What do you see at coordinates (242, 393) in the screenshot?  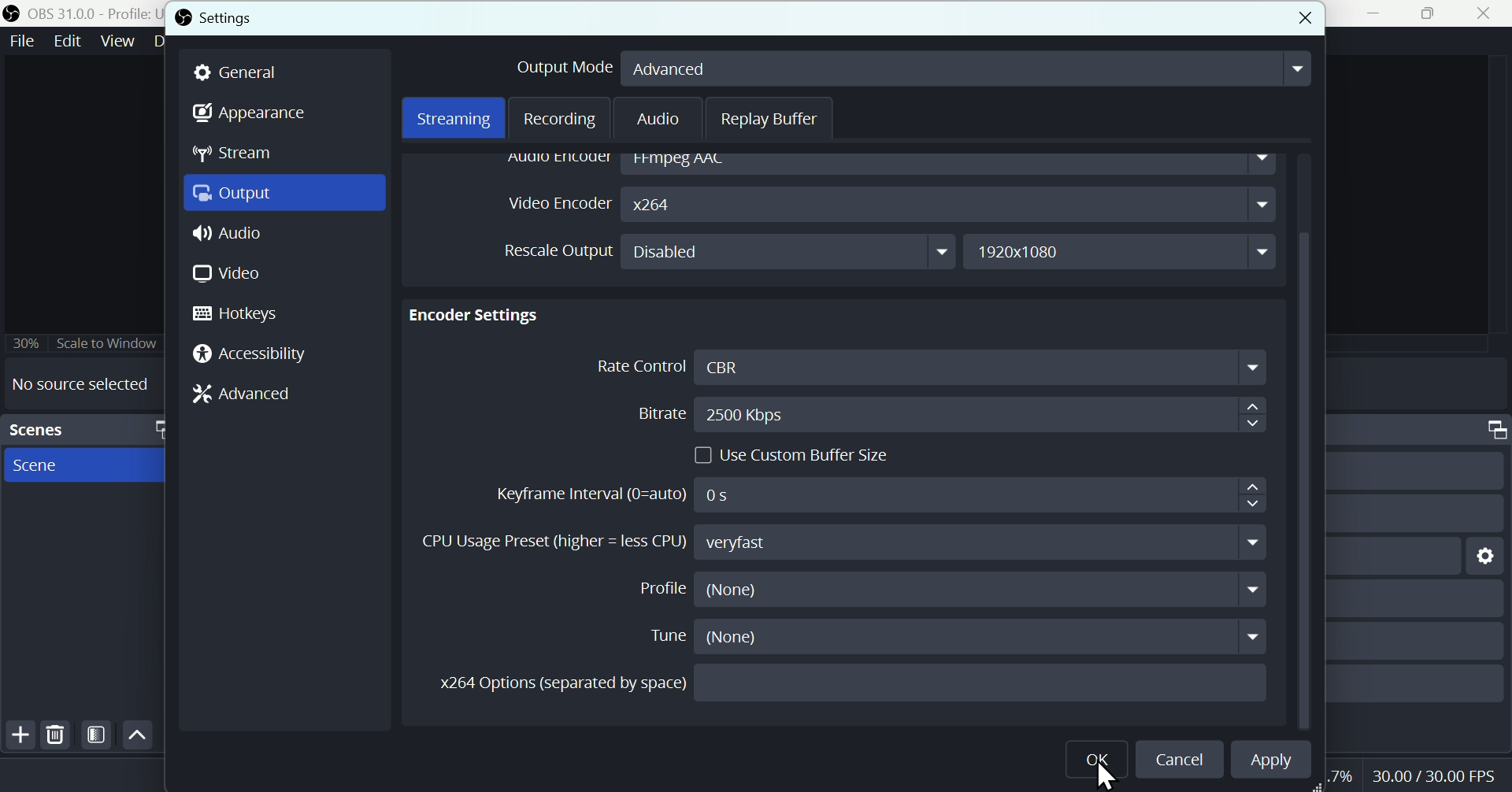 I see `Advanced` at bounding box center [242, 393].